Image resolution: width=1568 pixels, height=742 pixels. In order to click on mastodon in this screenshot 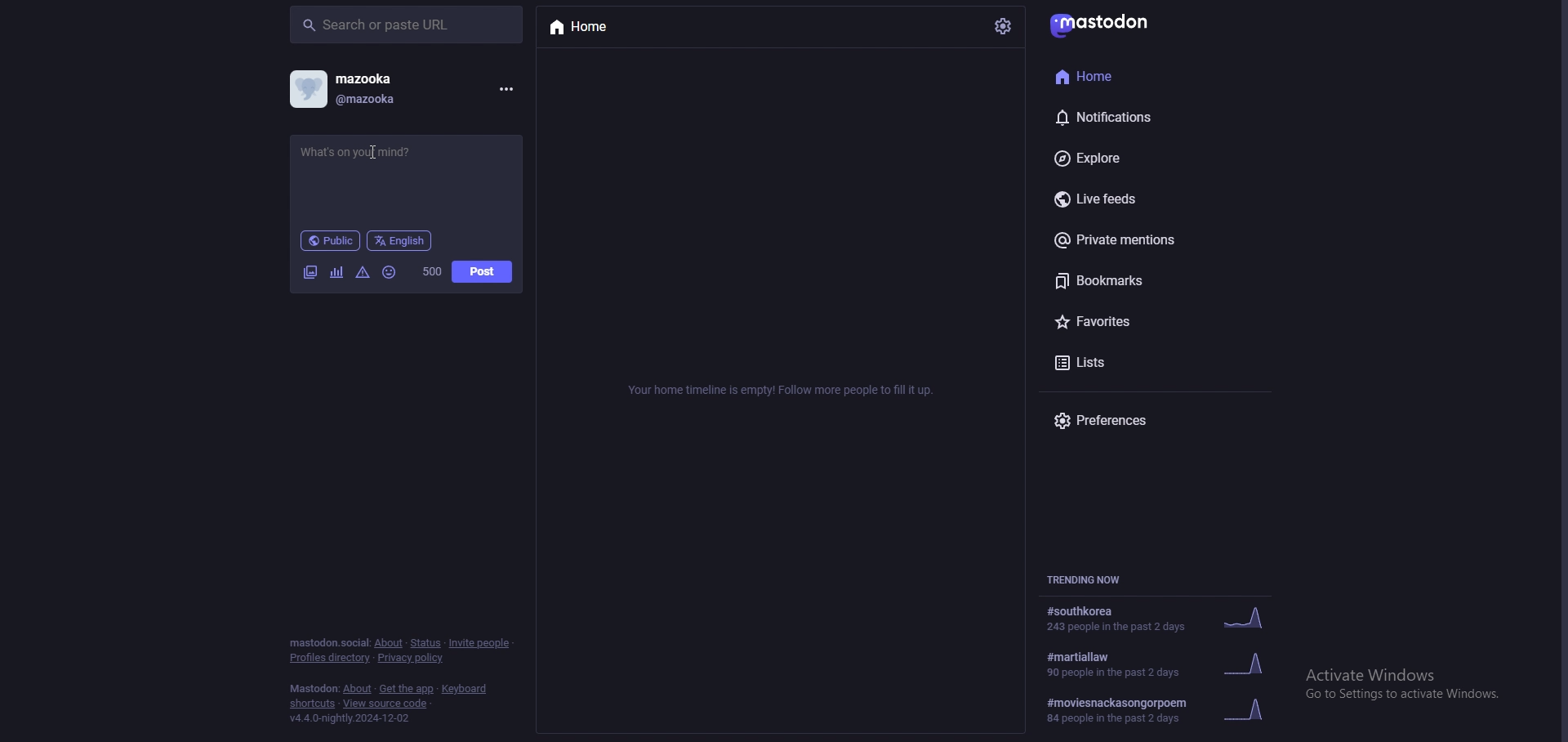, I will do `click(313, 688)`.